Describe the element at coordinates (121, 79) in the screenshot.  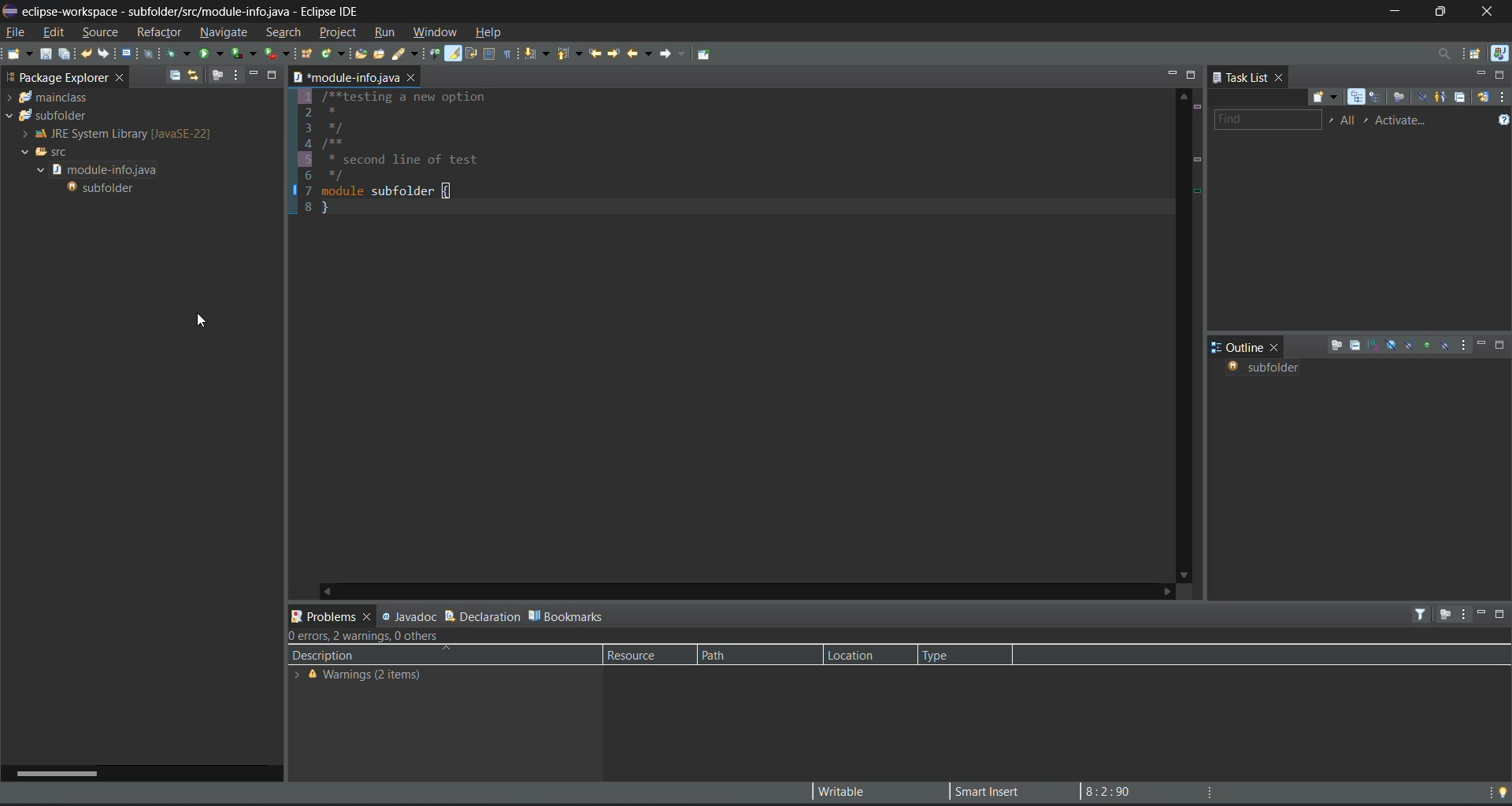
I see `close` at that location.